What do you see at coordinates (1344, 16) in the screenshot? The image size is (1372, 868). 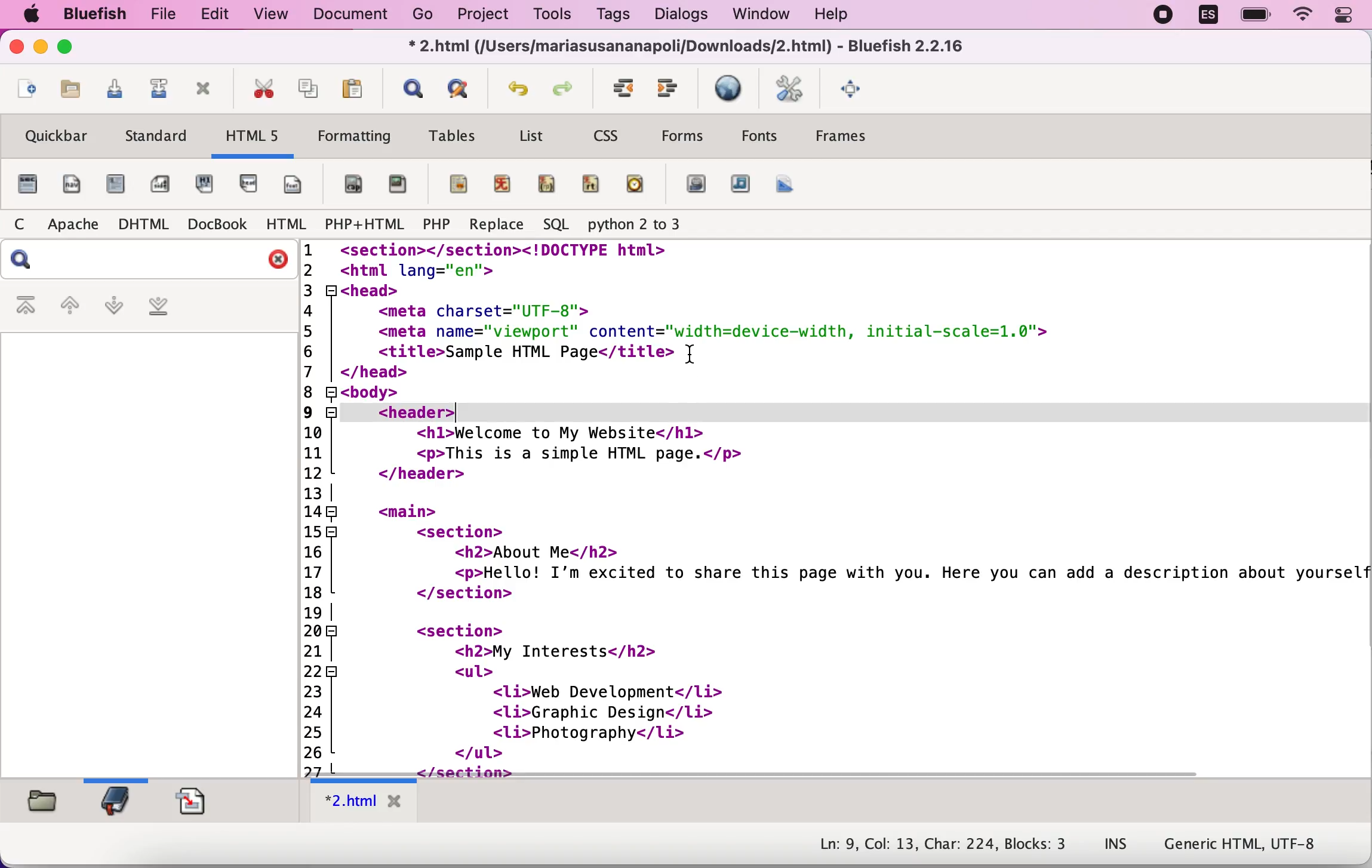 I see `panel control` at bounding box center [1344, 16].